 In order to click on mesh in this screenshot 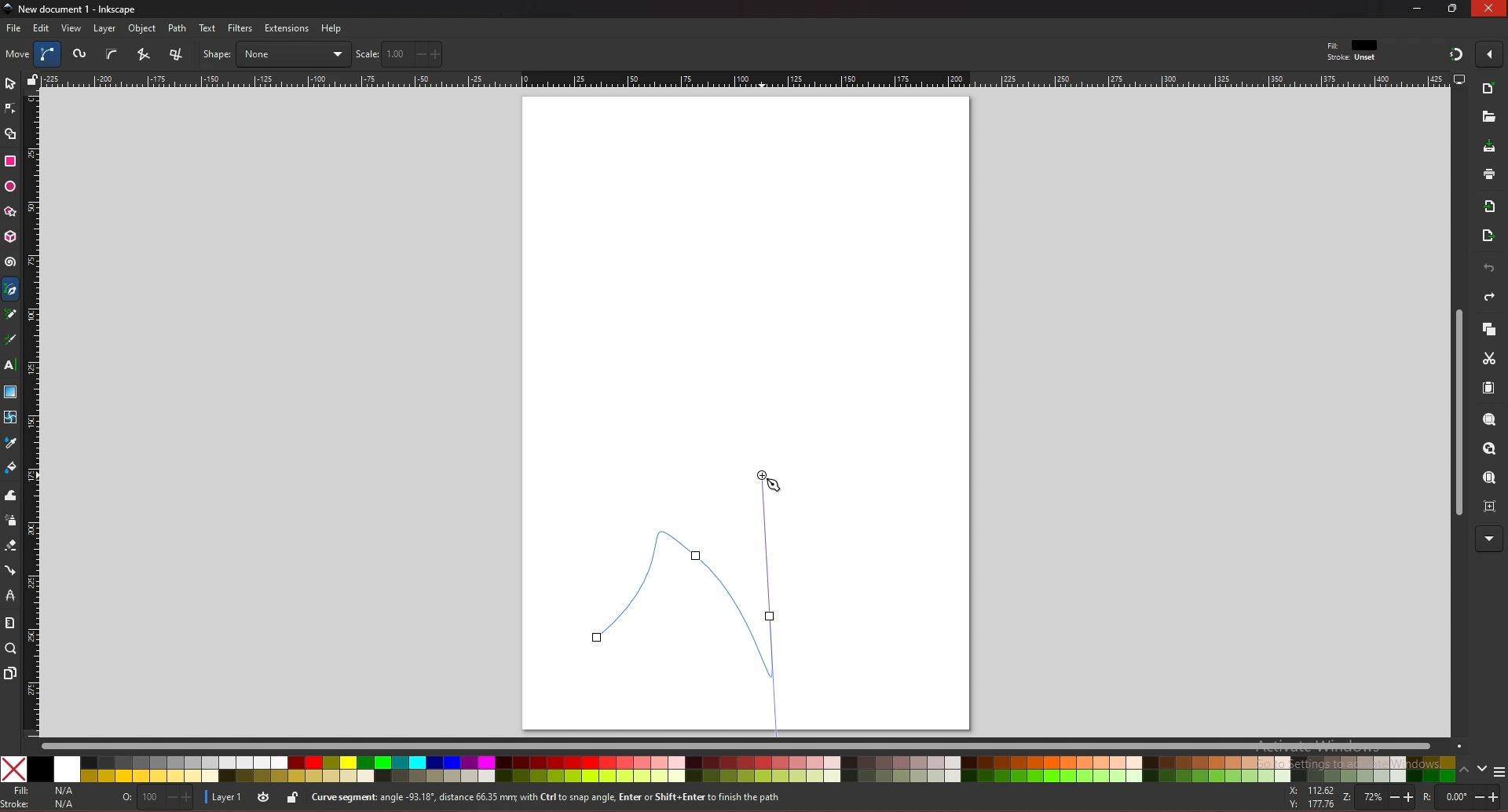, I will do `click(9, 417)`.